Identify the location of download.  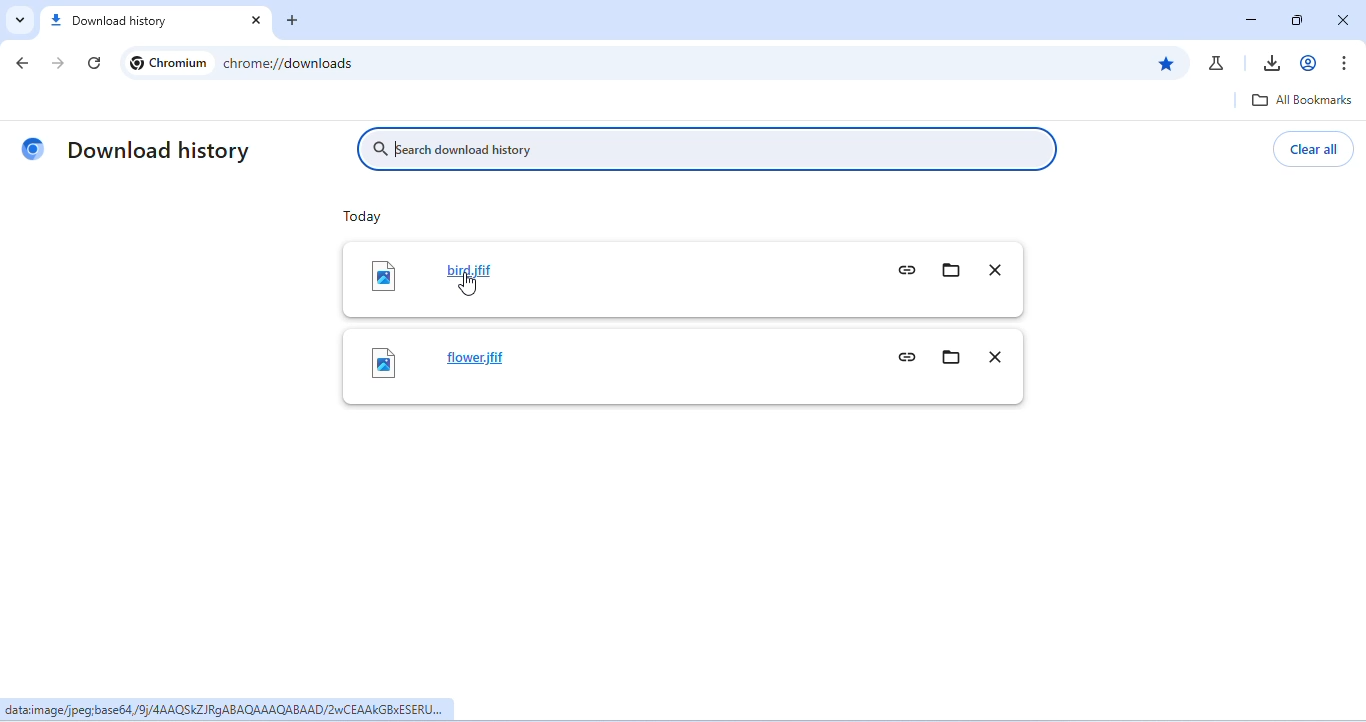
(1275, 63).